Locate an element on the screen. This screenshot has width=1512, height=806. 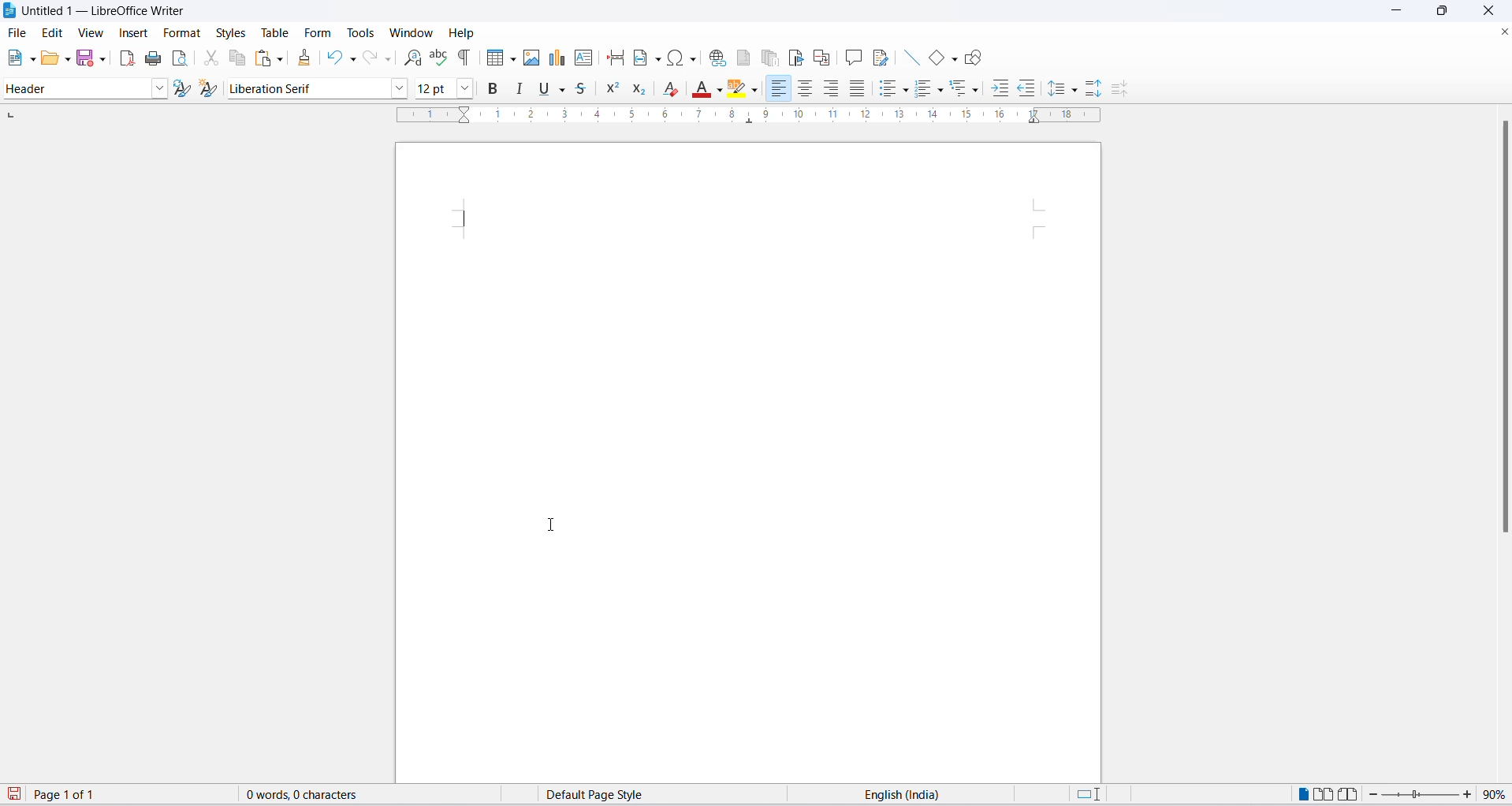
insert bookmark is located at coordinates (795, 55).